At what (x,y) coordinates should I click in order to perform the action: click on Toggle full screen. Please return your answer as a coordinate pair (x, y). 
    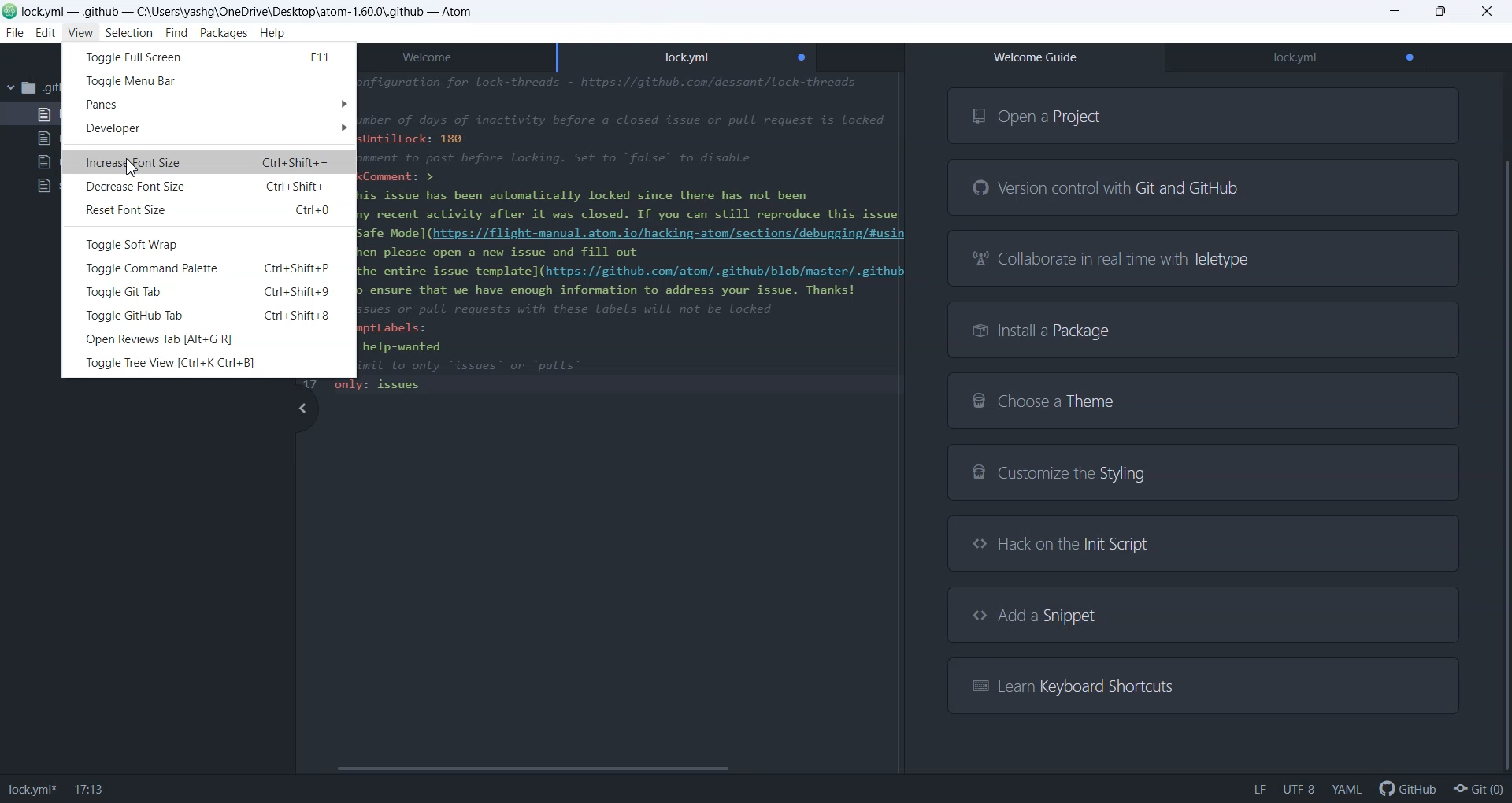
    Looking at the image, I should click on (209, 55).